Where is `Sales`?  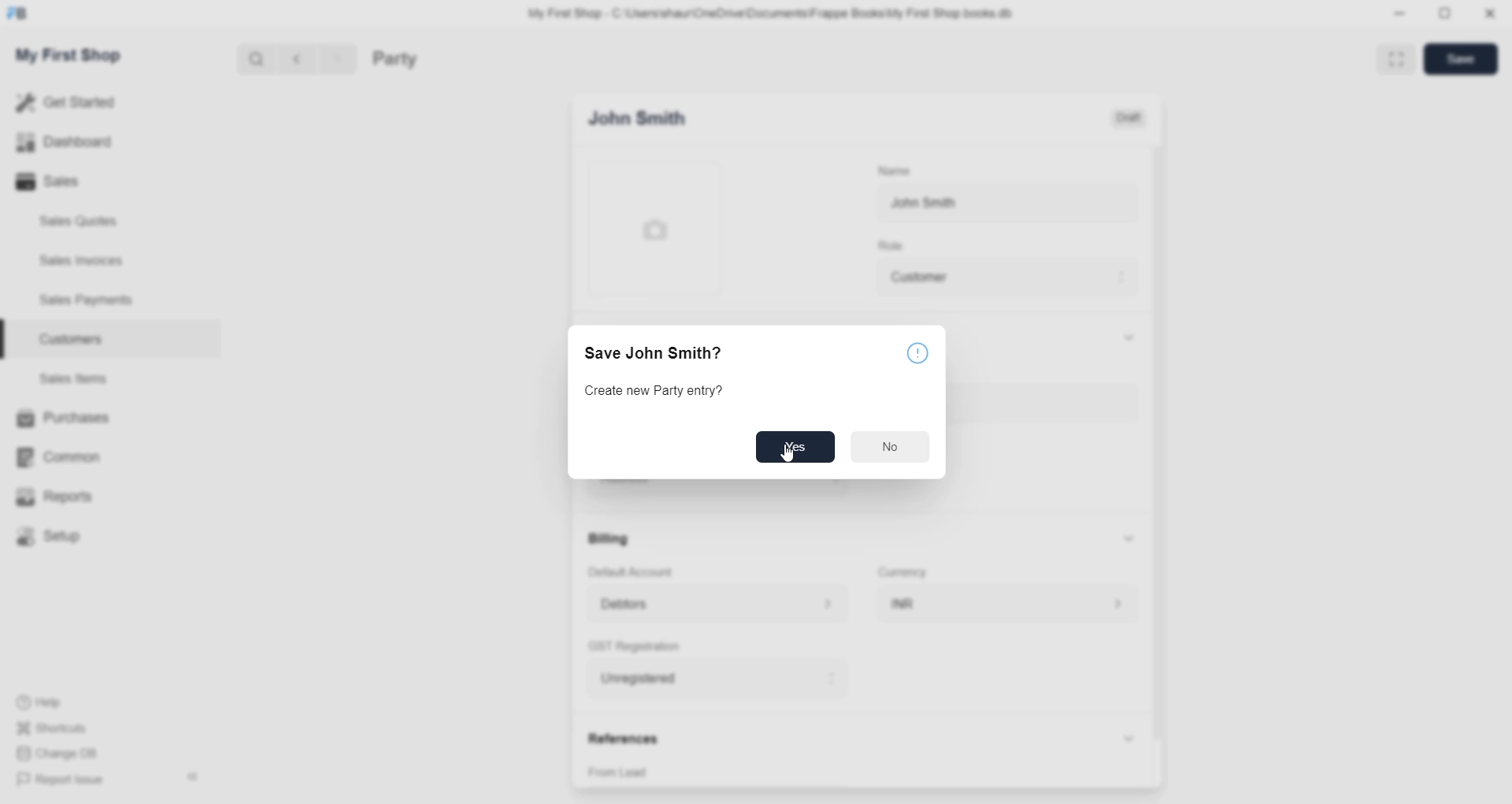
Sales is located at coordinates (66, 183).